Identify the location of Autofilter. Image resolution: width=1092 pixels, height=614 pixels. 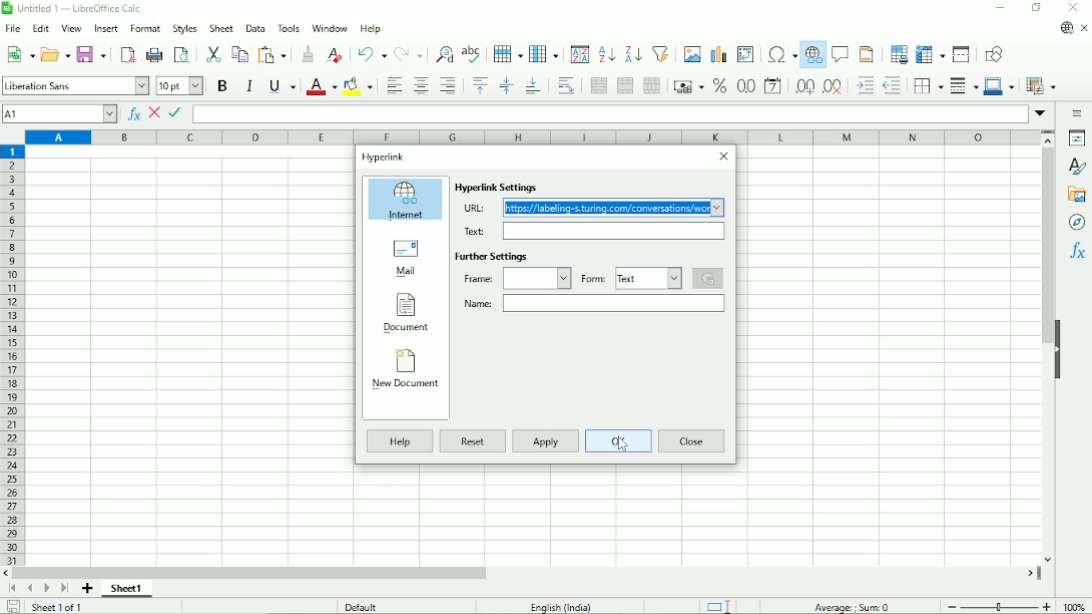
(661, 53).